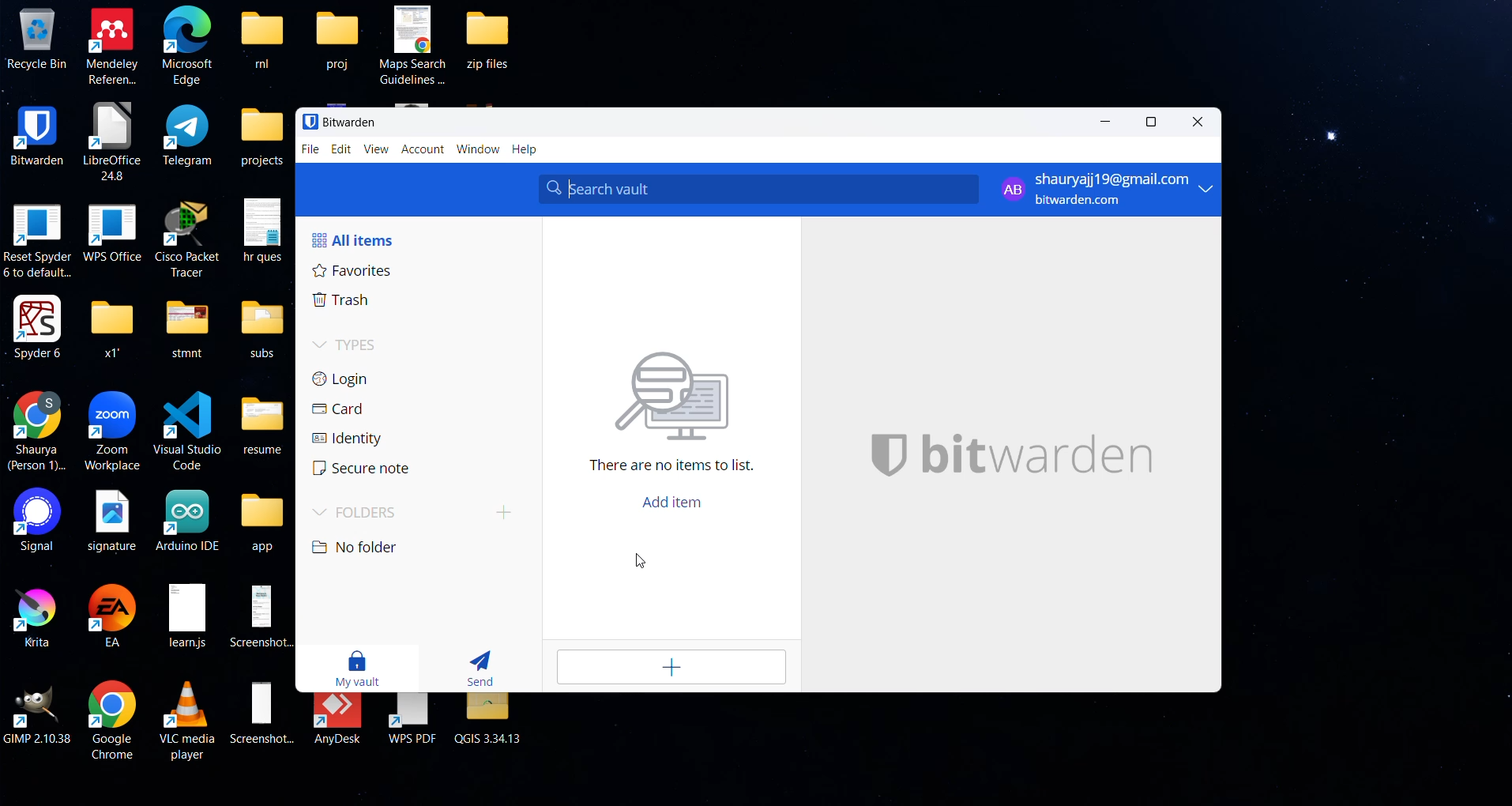  I want to click on Visual Studio code, so click(186, 427).